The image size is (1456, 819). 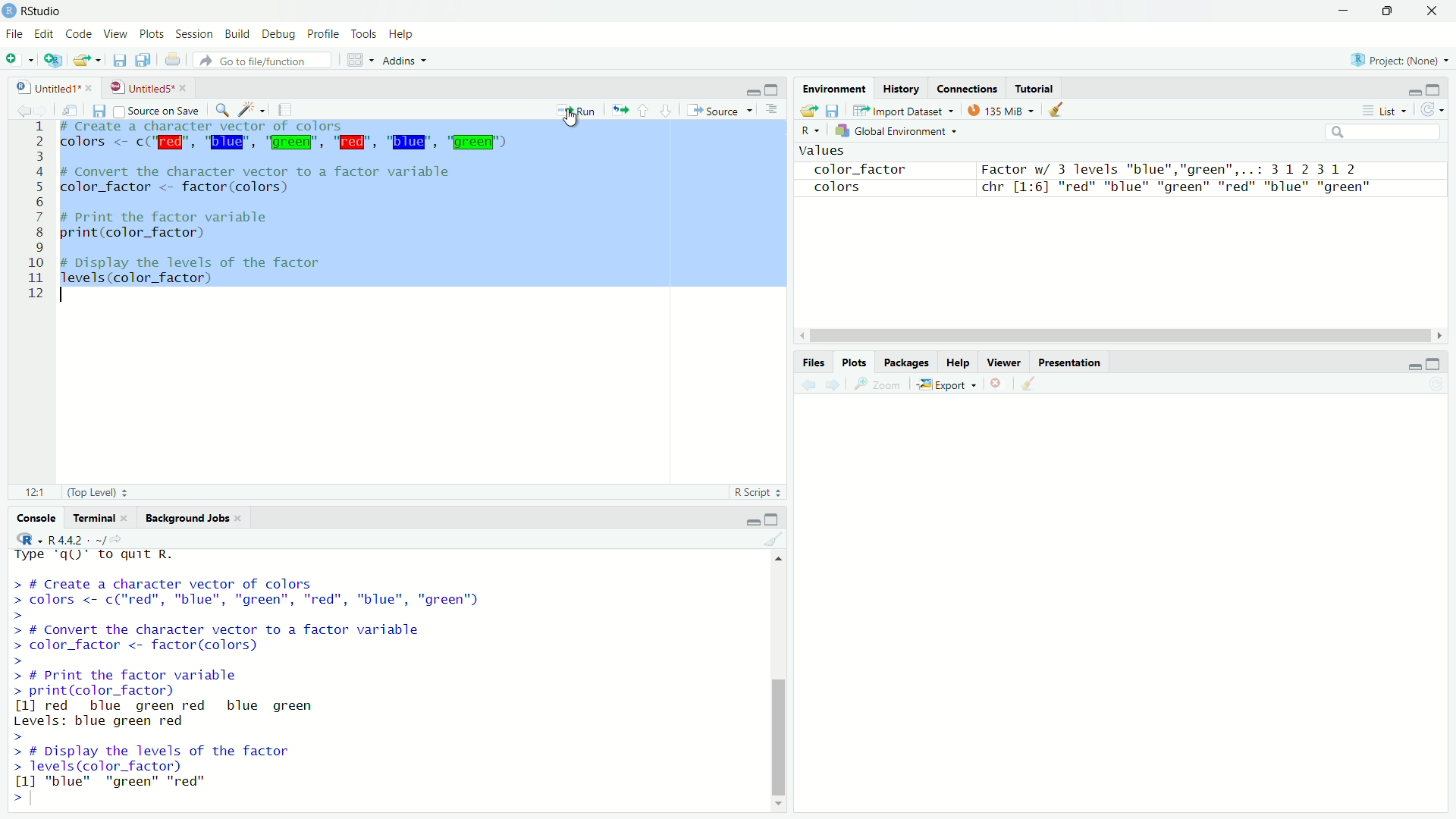 What do you see at coordinates (187, 87) in the screenshot?
I see `close` at bounding box center [187, 87].